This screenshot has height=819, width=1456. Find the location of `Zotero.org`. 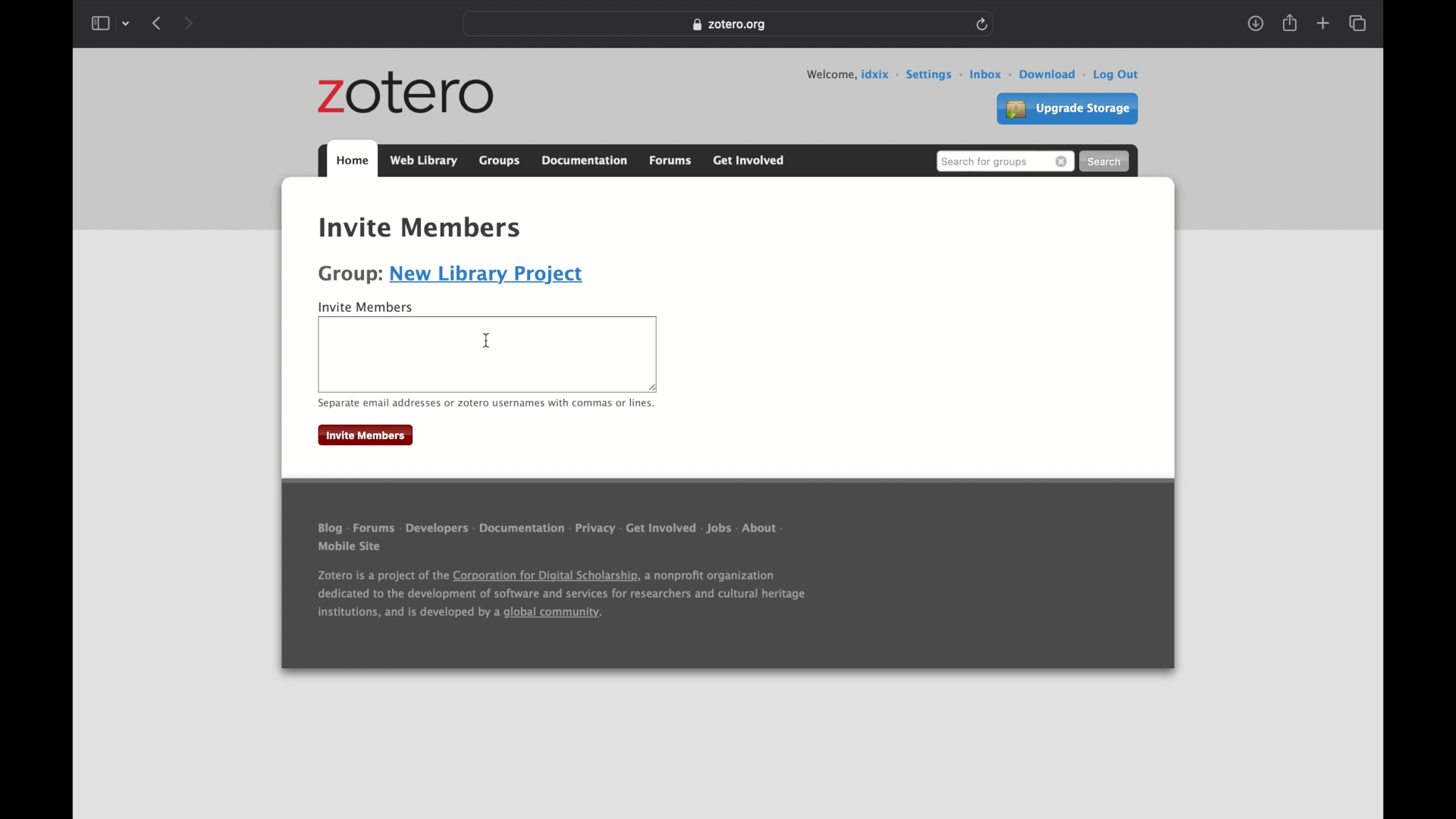

Zotero.org is located at coordinates (730, 25).